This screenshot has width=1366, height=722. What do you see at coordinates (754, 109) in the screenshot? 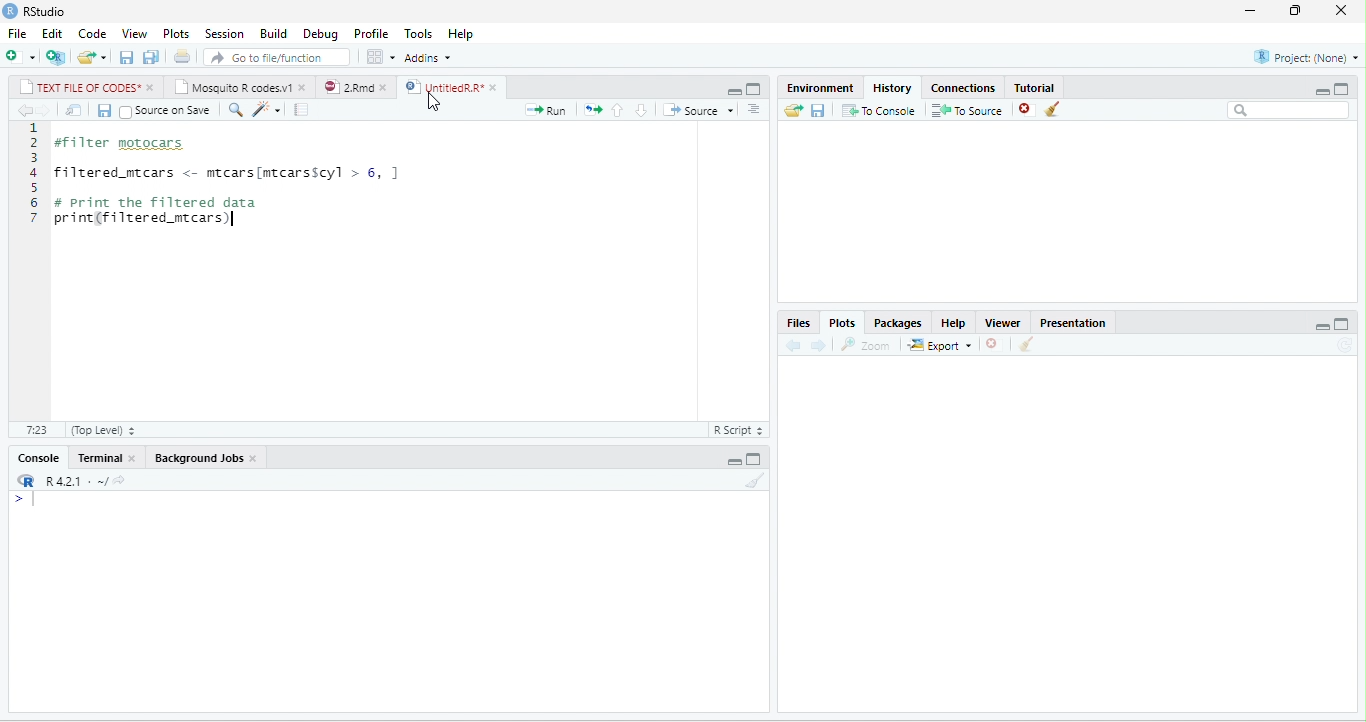
I see `options` at bounding box center [754, 109].